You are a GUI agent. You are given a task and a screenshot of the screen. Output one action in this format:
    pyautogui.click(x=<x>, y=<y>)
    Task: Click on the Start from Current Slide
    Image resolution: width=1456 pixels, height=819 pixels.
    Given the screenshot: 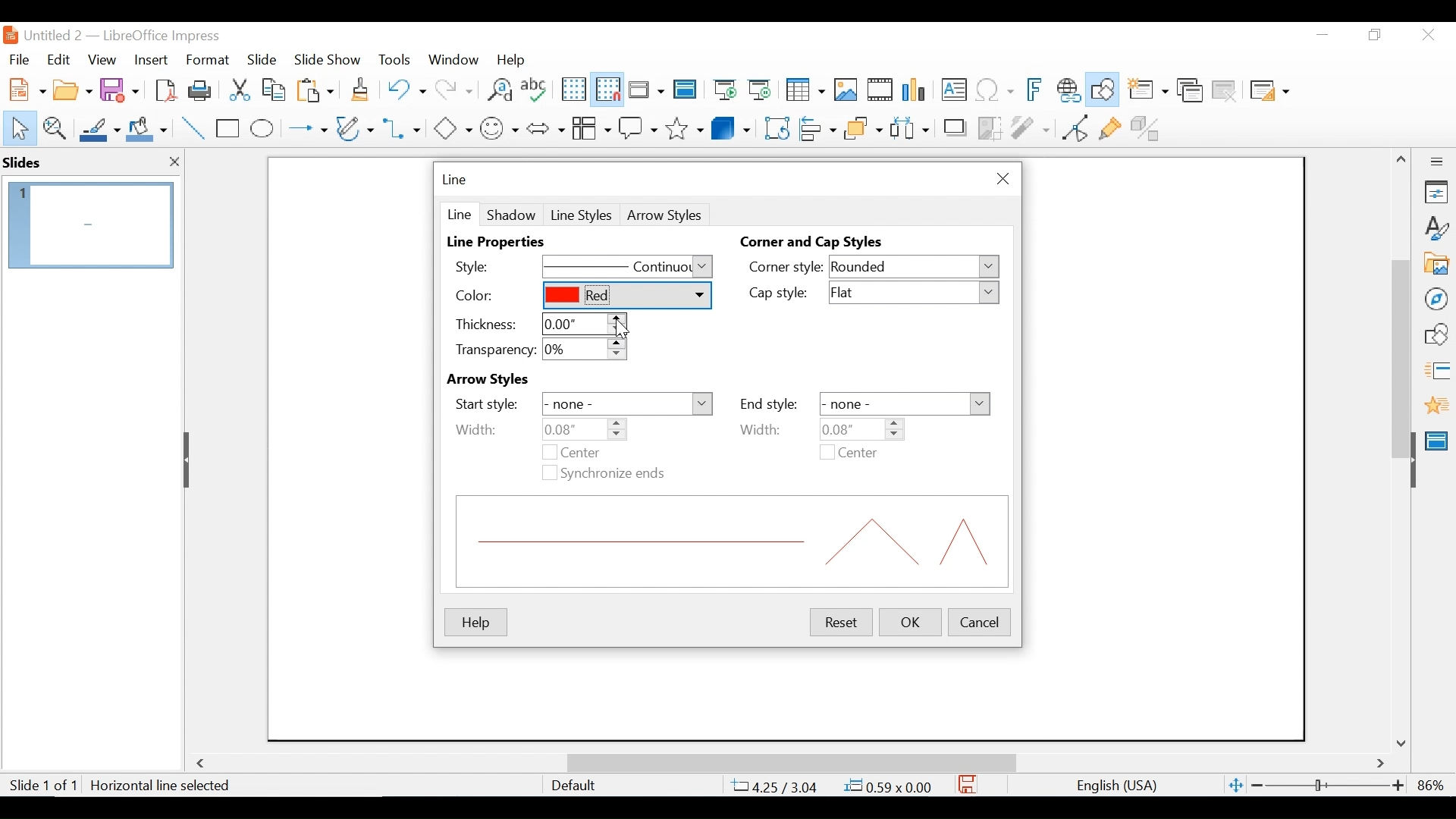 What is the action you would take?
    pyautogui.click(x=759, y=91)
    